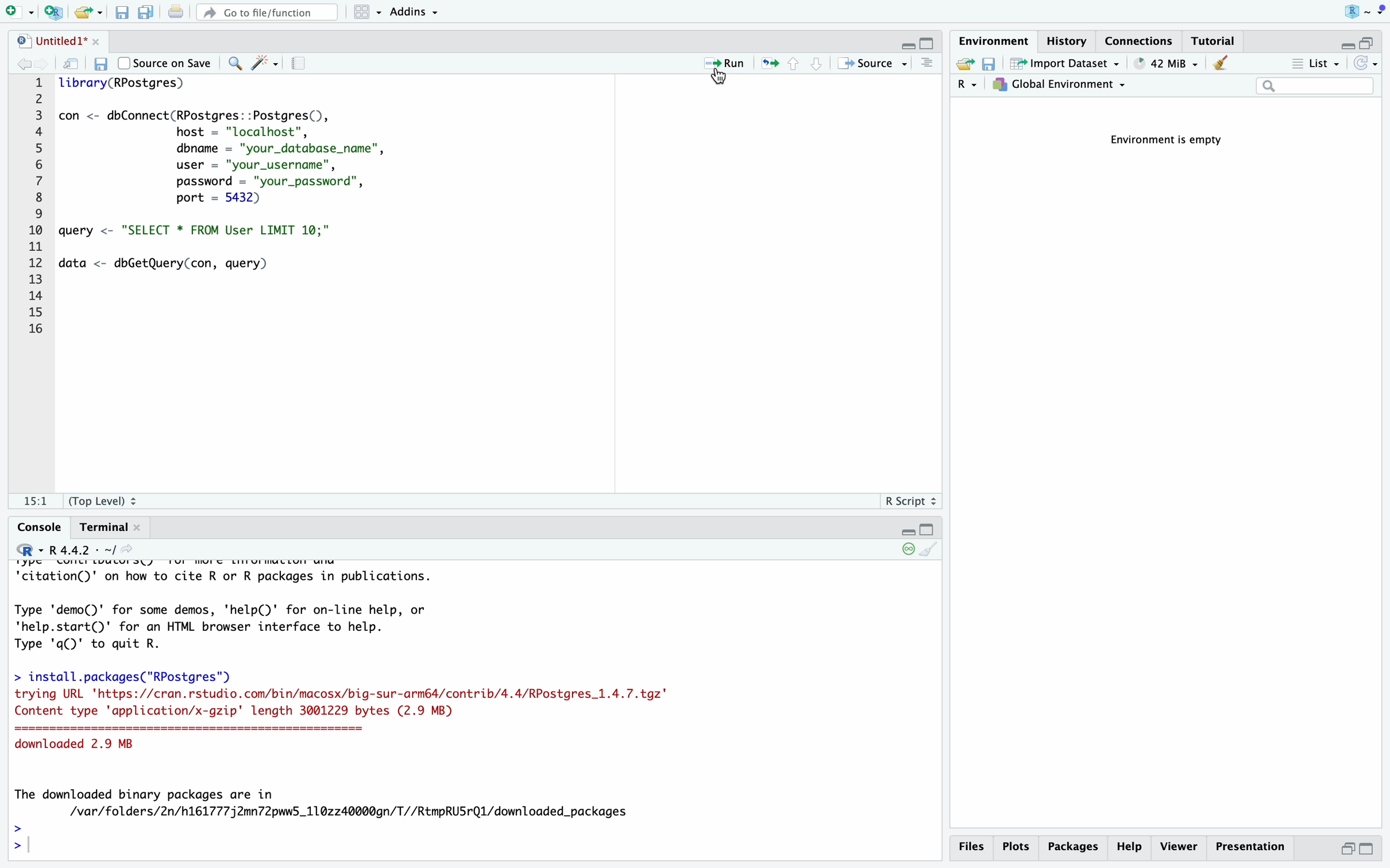 Image resolution: width=1390 pixels, height=868 pixels. Describe the element at coordinates (1072, 849) in the screenshot. I see `packages` at that location.